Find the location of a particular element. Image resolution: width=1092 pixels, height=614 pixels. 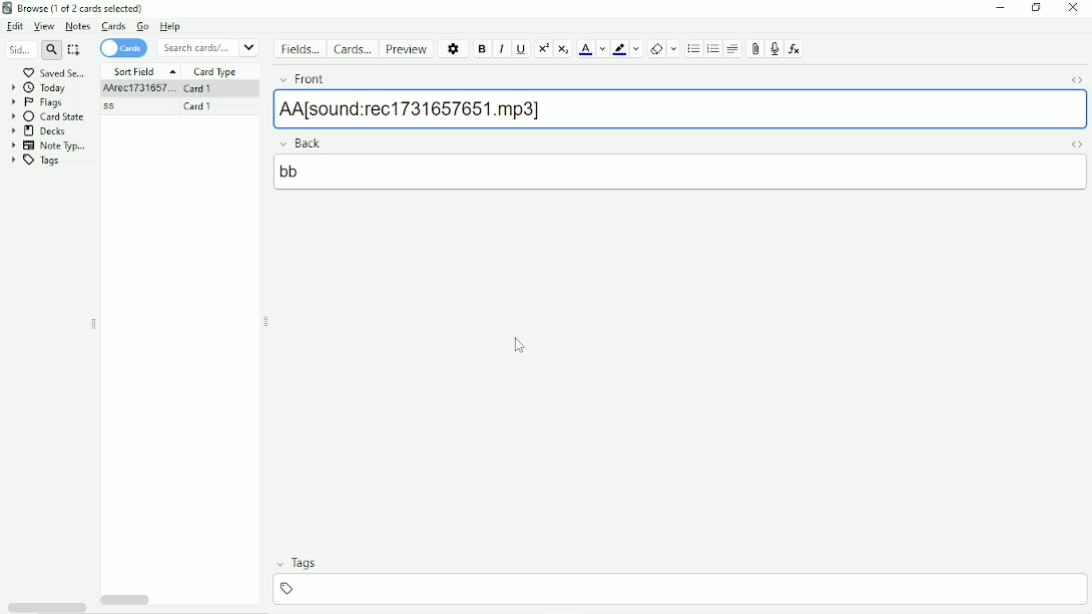

Select formatting to remove is located at coordinates (674, 48).